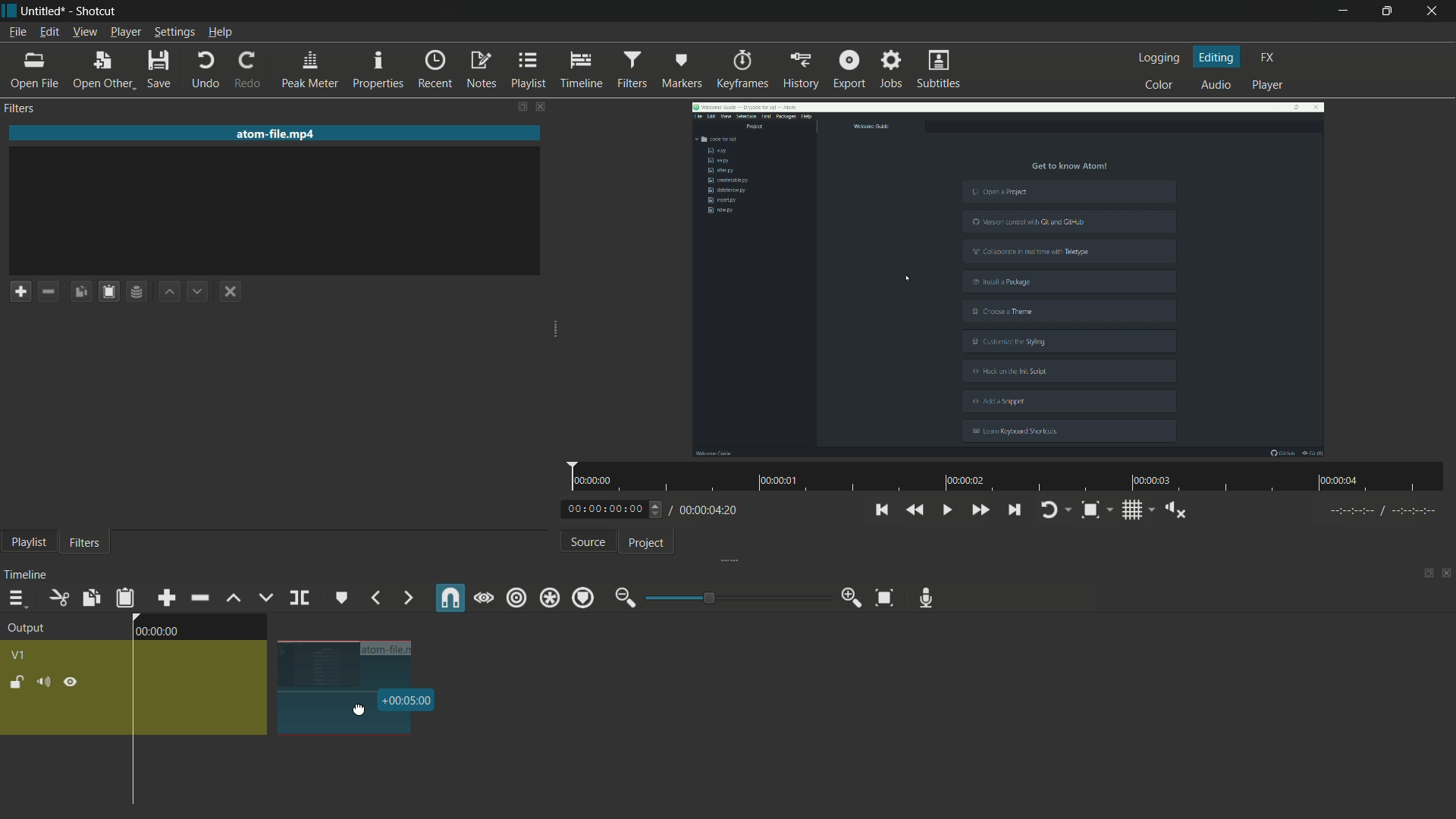  What do you see at coordinates (1011, 478) in the screenshot?
I see `time` at bounding box center [1011, 478].